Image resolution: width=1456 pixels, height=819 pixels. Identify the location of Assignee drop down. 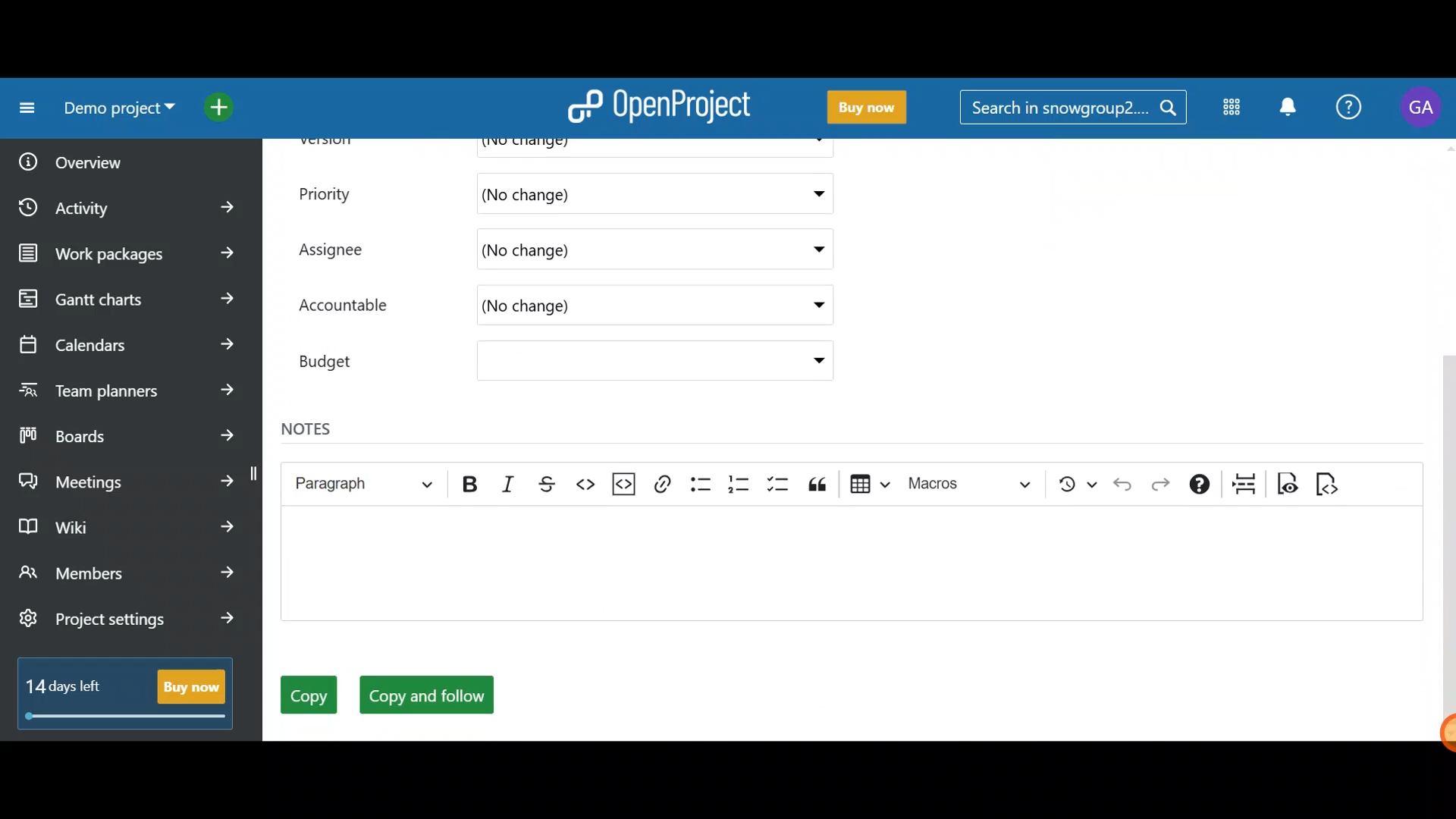
(820, 249).